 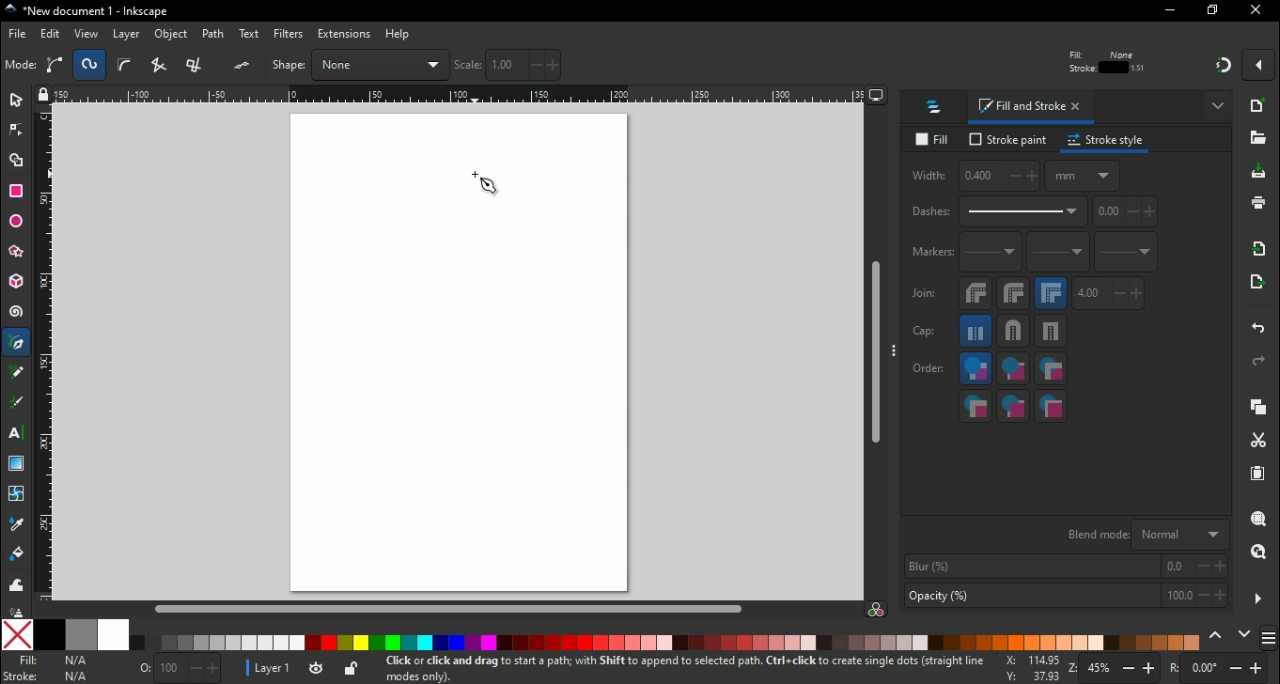 What do you see at coordinates (1270, 636) in the screenshot?
I see `color palettes` at bounding box center [1270, 636].